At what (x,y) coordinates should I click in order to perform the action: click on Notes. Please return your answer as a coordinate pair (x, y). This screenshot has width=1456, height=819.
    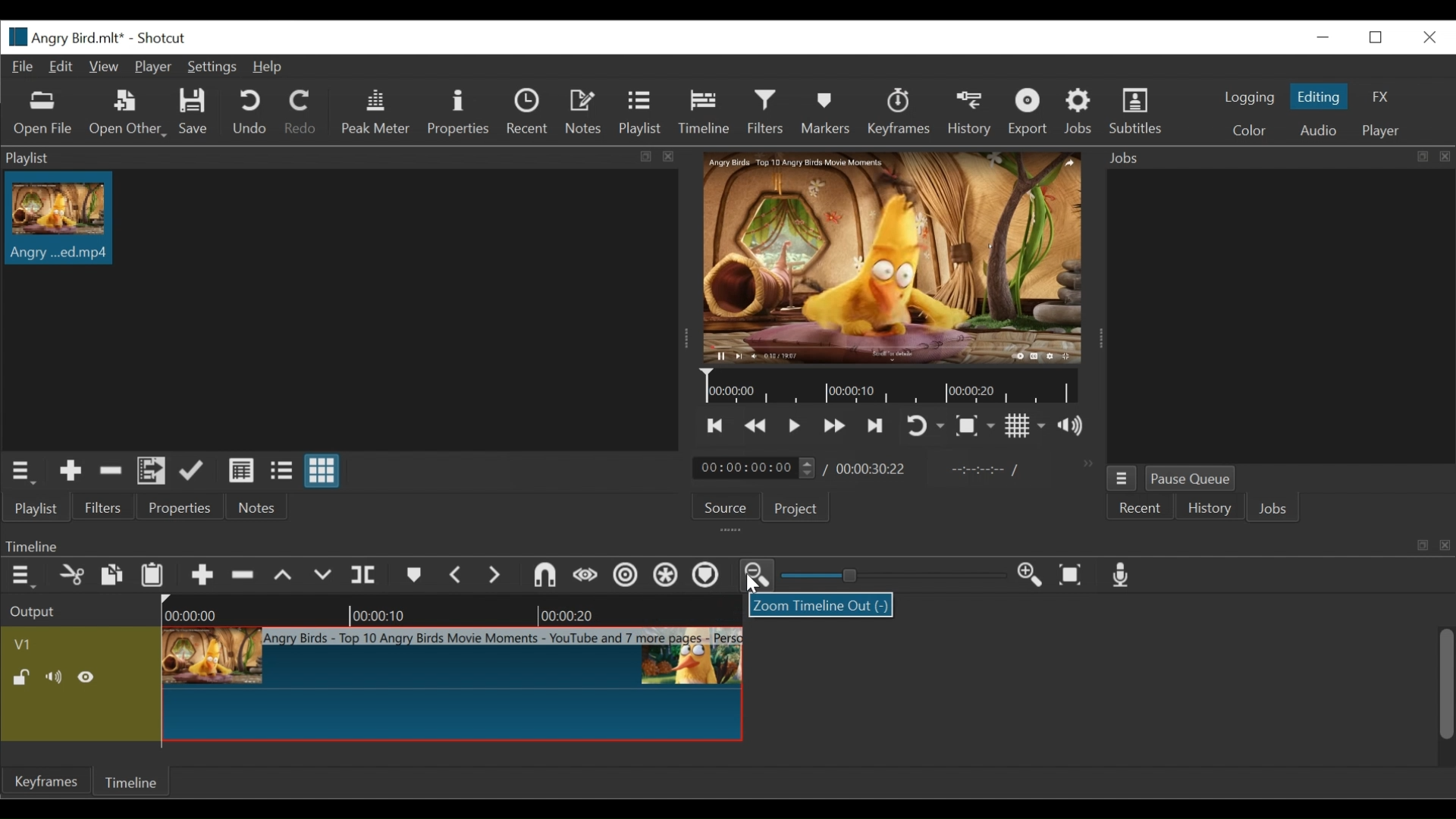
    Looking at the image, I should click on (254, 507).